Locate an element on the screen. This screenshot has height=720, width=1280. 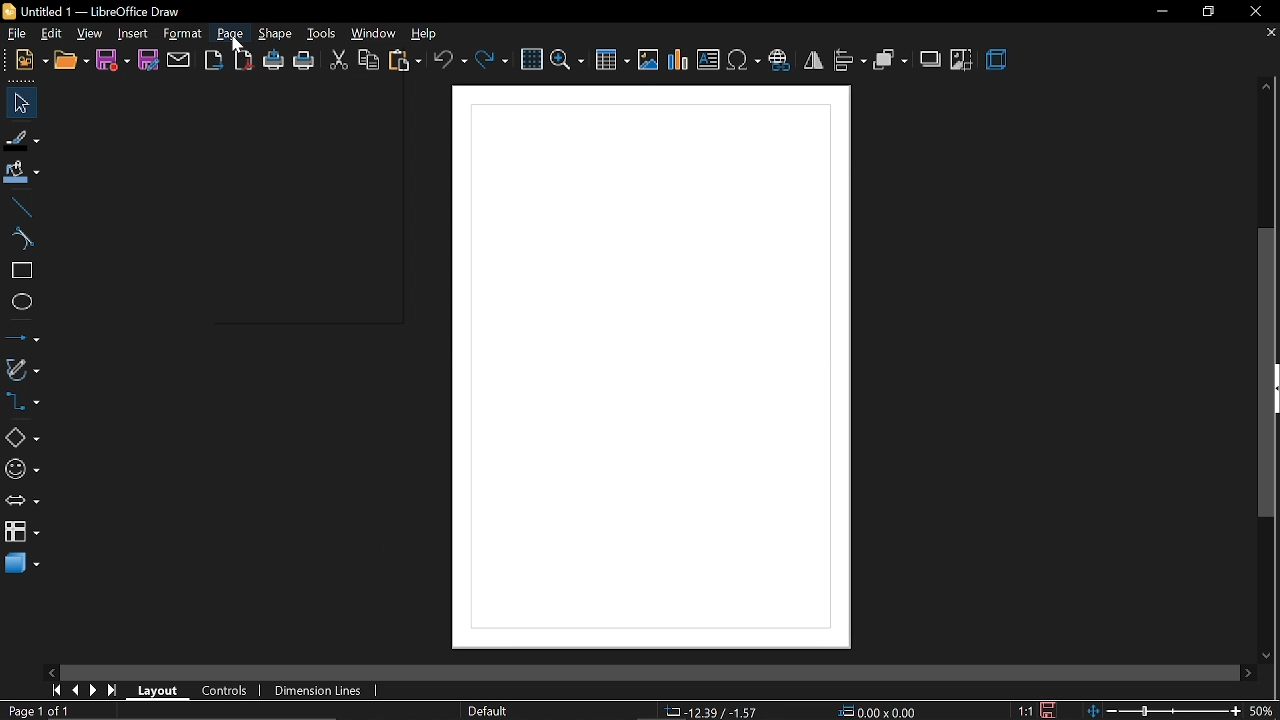
align is located at coordinates (850, 60).